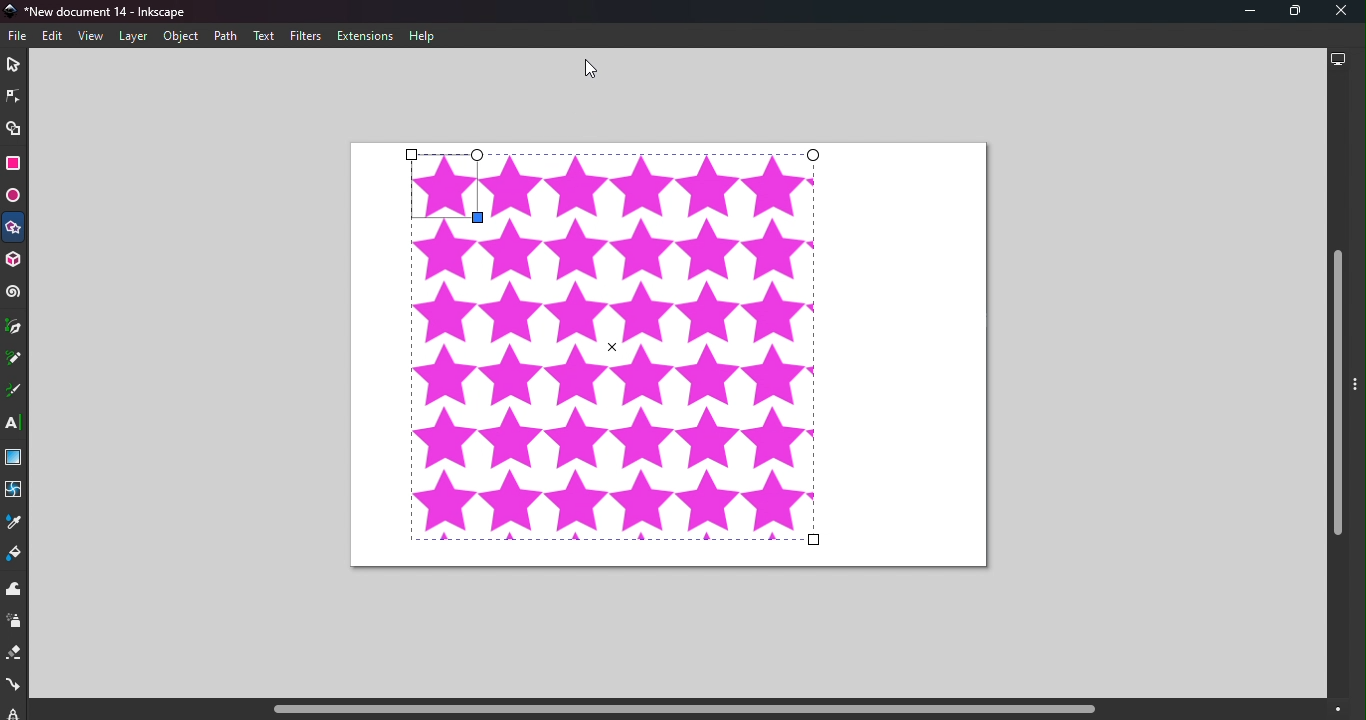  Describe the element at coordinates (1358, 395) in the screenshot. I see `Toggle command panel` at that location.